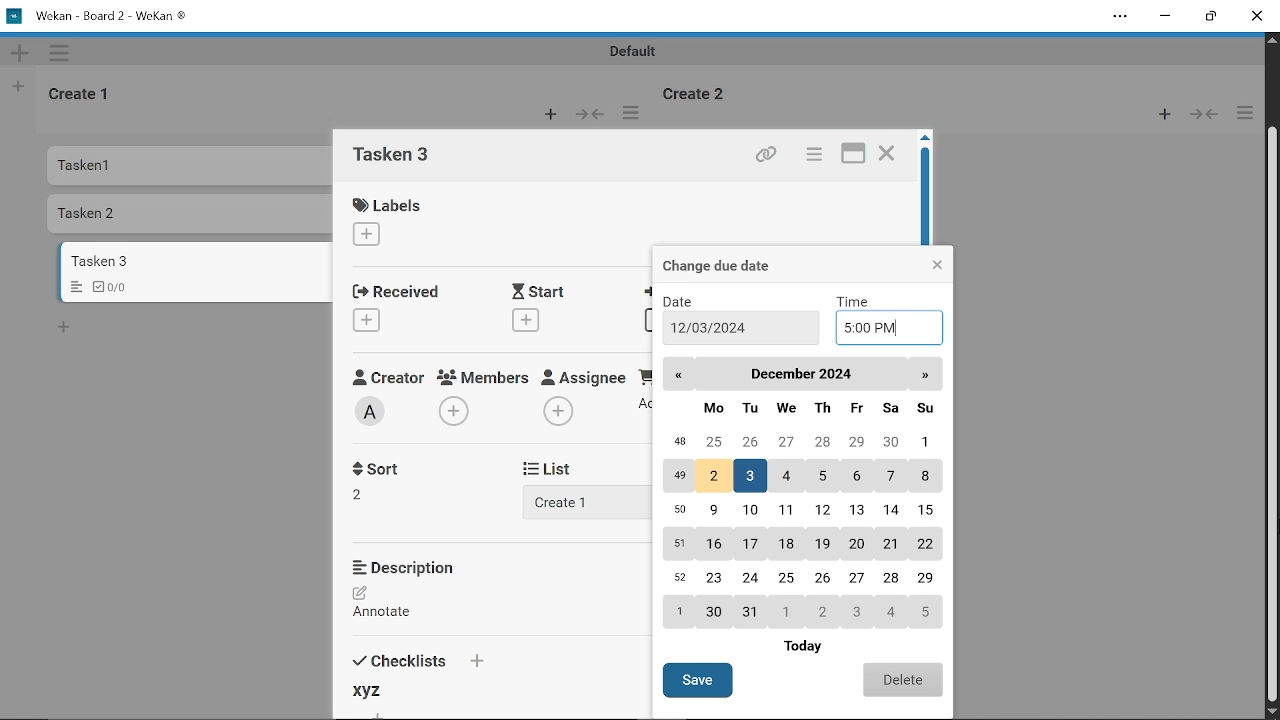 The height and width of the screenshot is (720, 1280). What do you see at coordinates (387, 376) in the screenshot?
I see `Creator` at bounding box center [387, 376].